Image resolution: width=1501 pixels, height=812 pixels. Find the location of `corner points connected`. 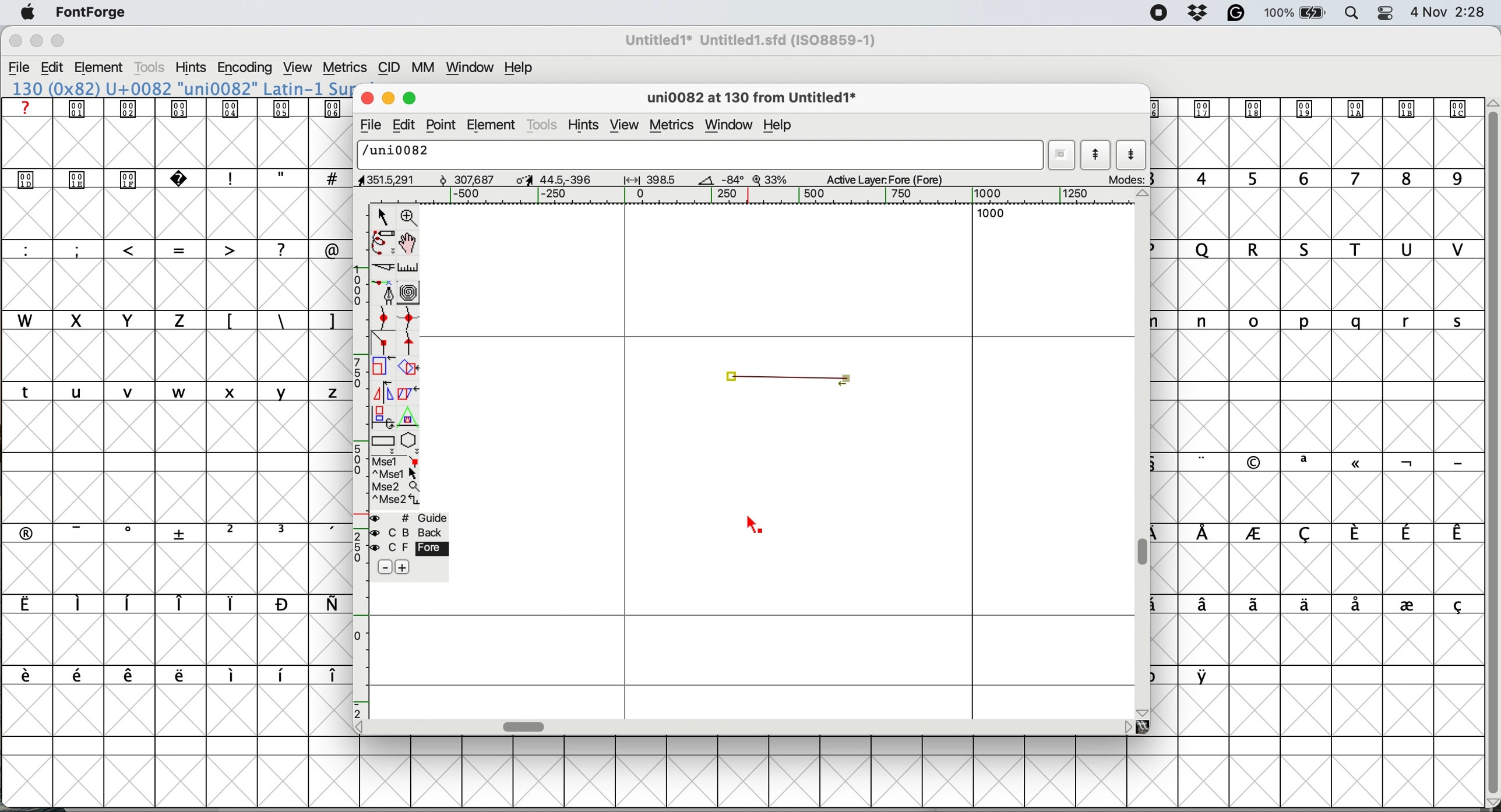

corner points connected is located at coordinates (788, 374).